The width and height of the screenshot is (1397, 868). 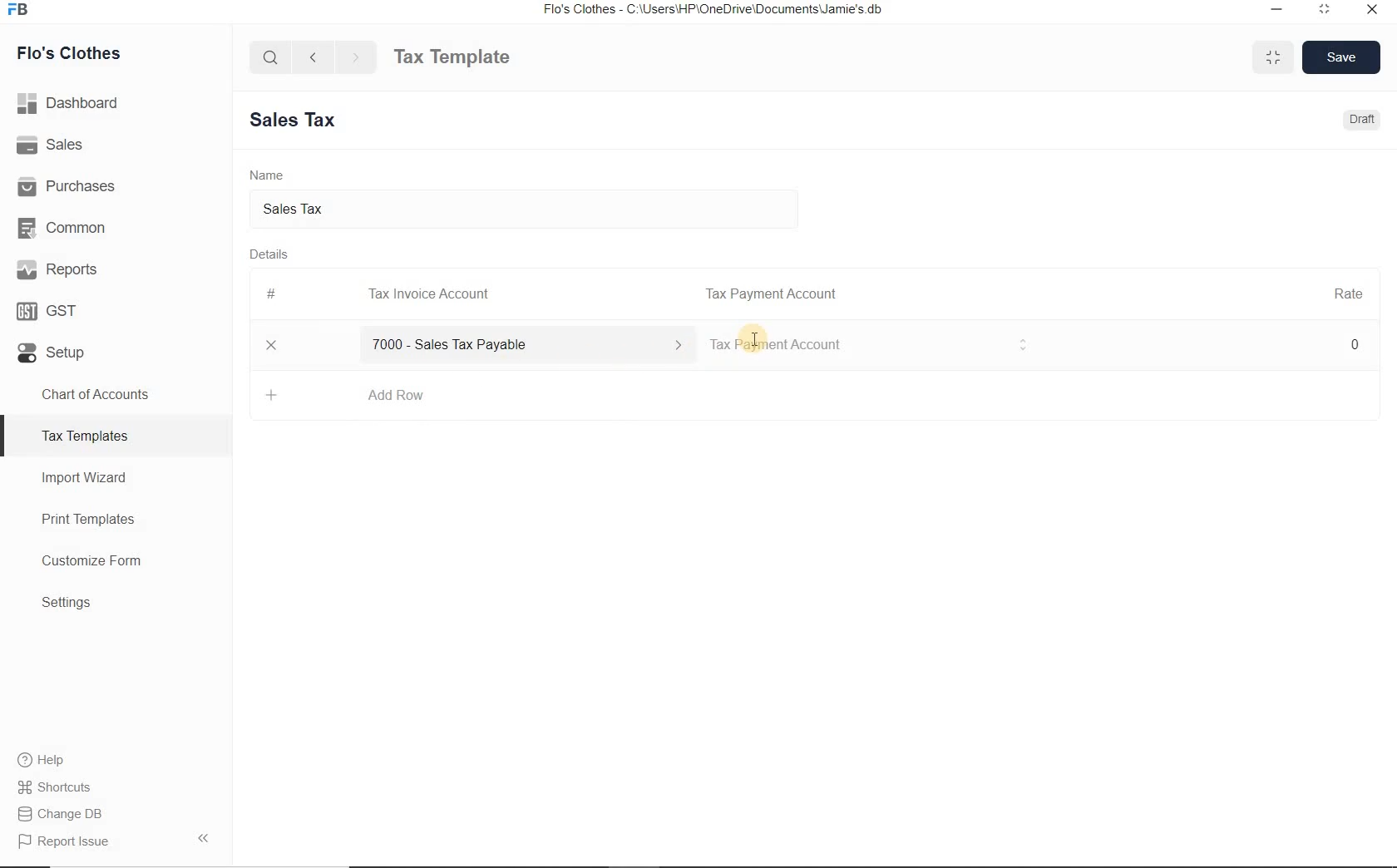 I want to click on Flo's Clothes - C:\Users\HP\OneDrive\Documents\Jamie's db, so click(x=712, y=9).